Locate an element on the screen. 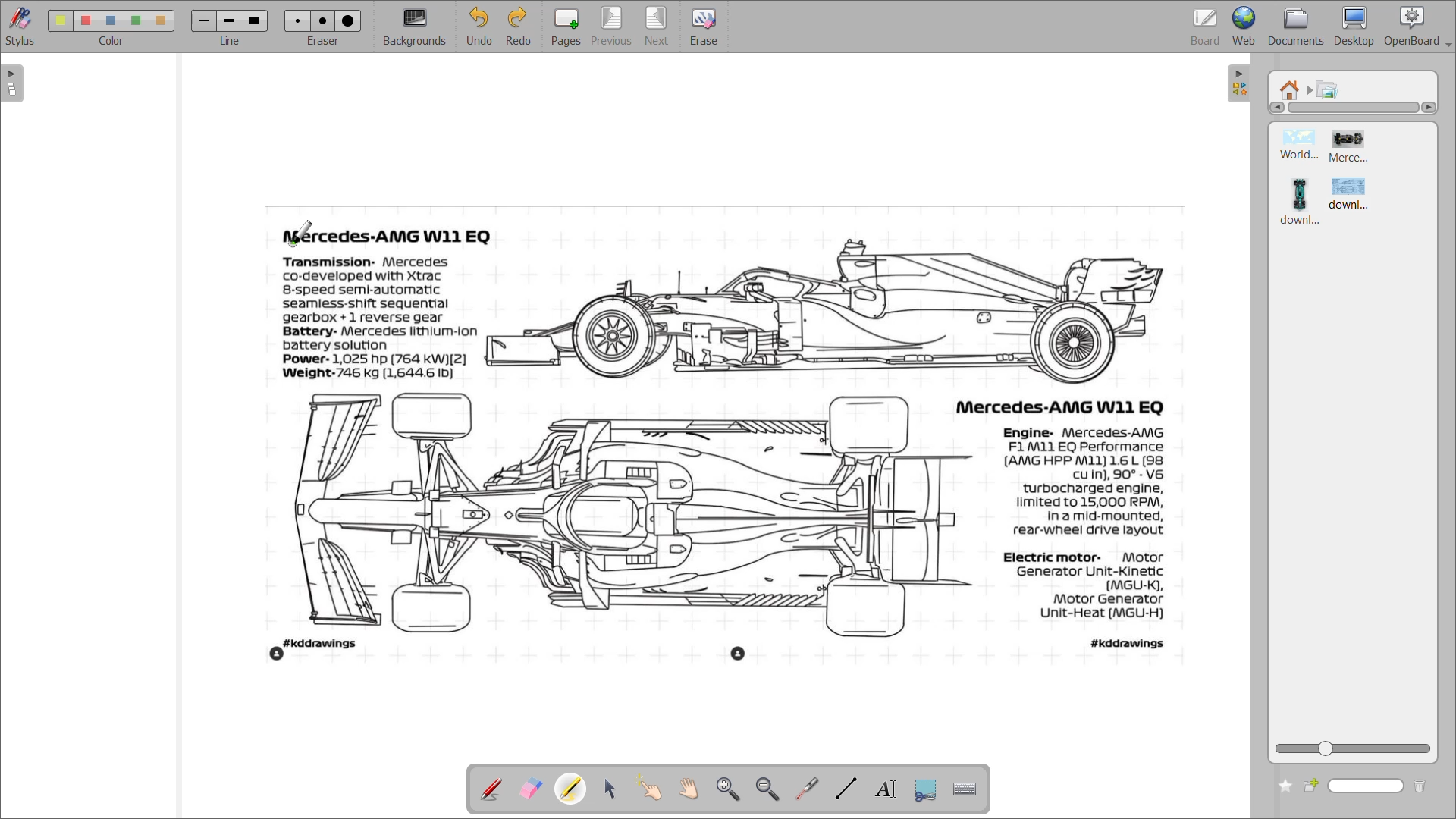  line 1 is located at coordinates (203, 20).